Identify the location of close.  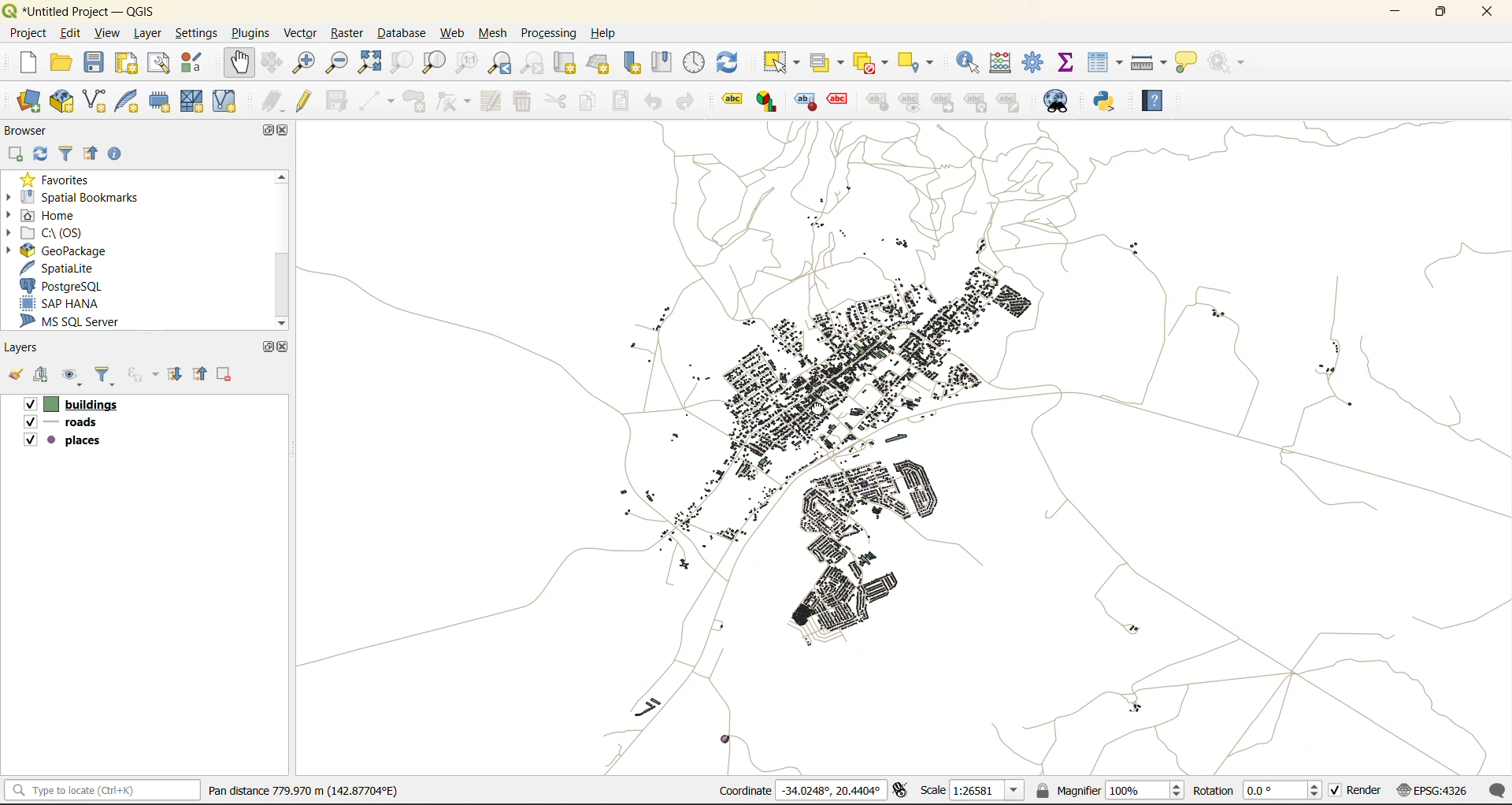
(284, 132).